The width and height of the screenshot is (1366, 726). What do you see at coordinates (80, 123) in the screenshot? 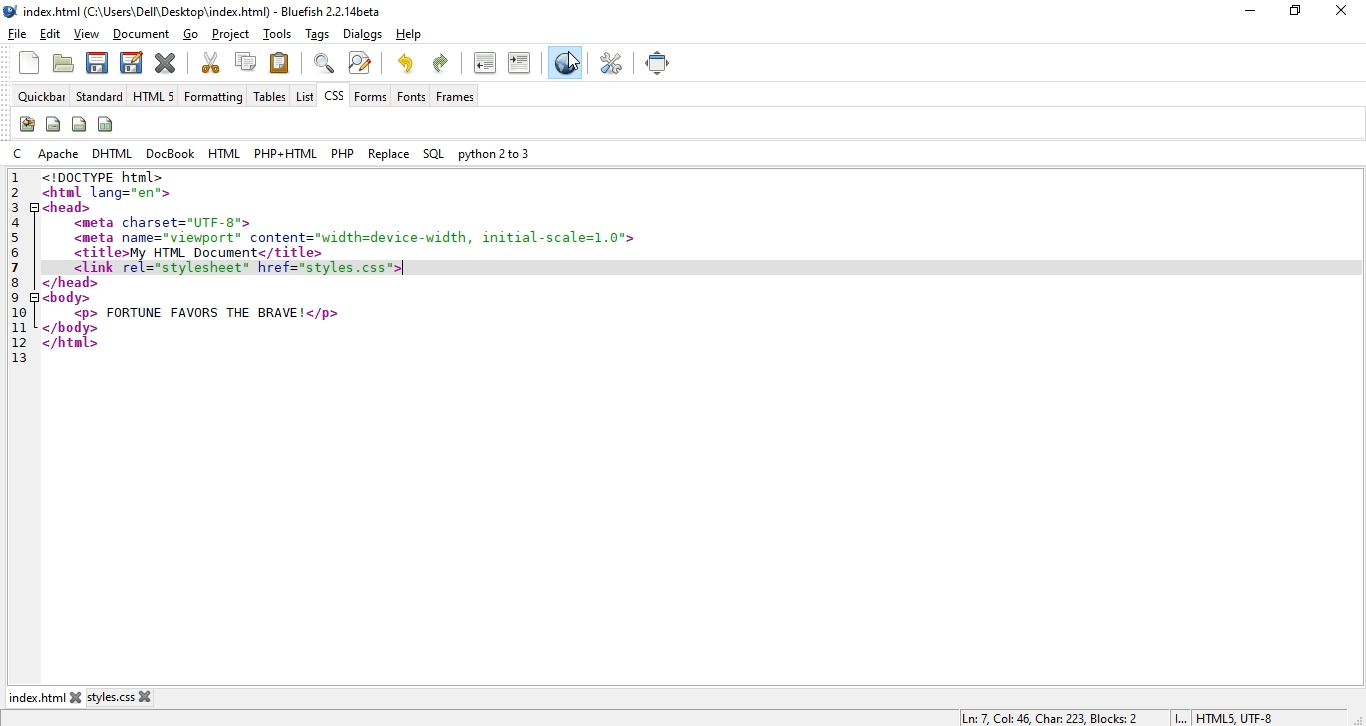
I see `div` at bounding box center [80, 123].